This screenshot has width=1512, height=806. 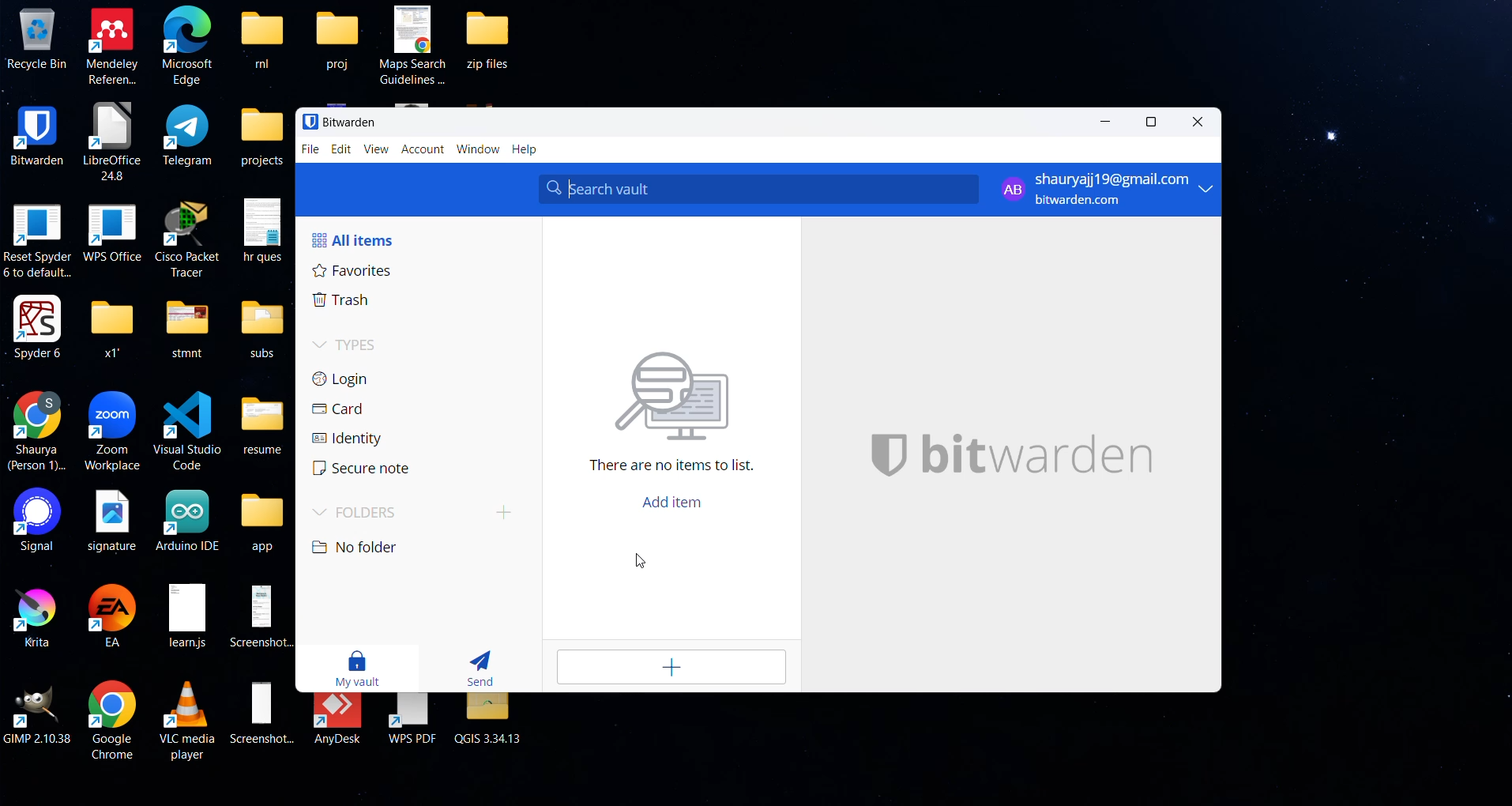 I want to click on GIMP 2.10.38, so click(x=39, y=714).